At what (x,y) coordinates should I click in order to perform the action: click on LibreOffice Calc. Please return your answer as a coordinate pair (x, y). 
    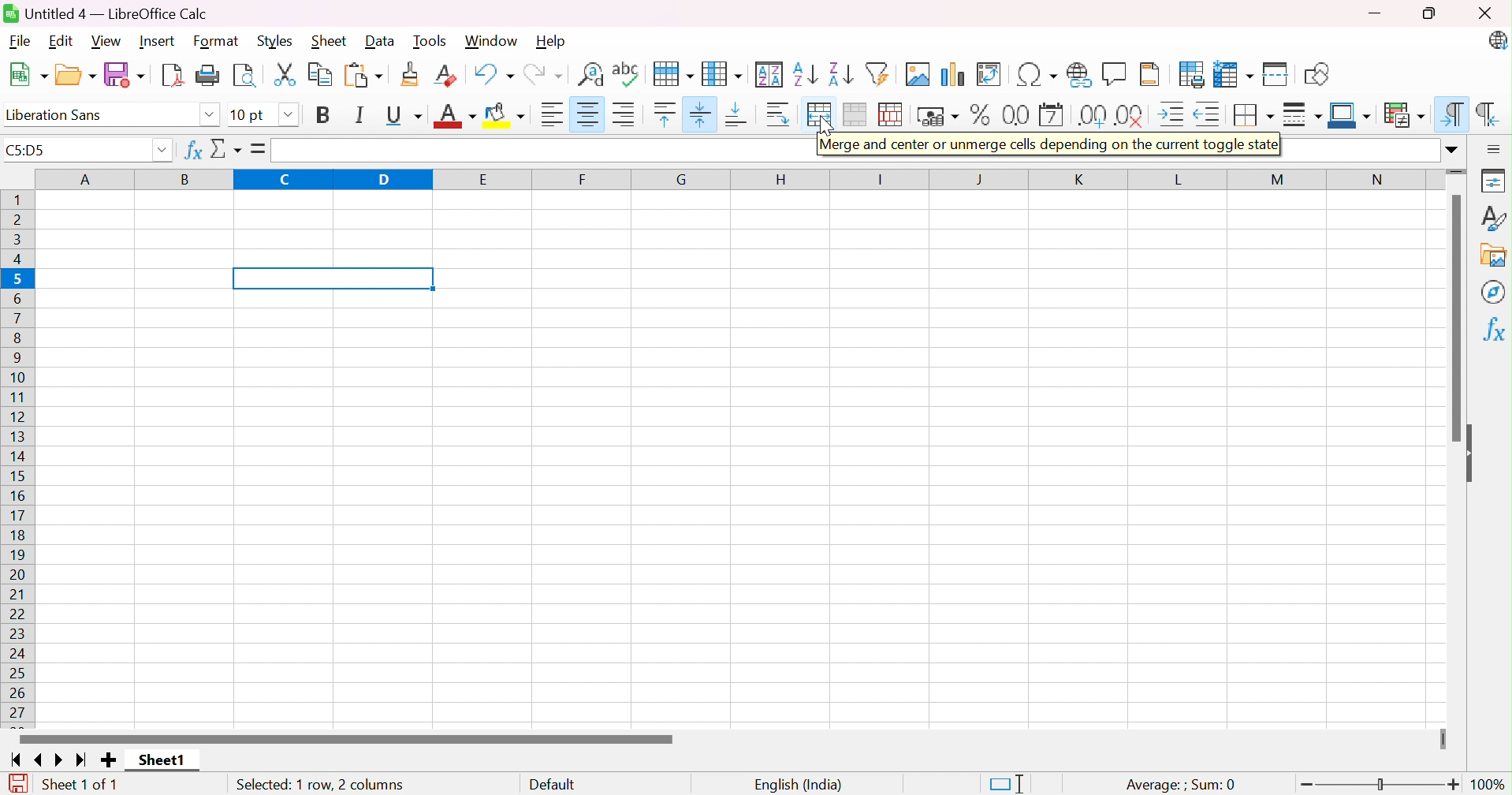
    Looking at the image, I should click on (1497, 42).